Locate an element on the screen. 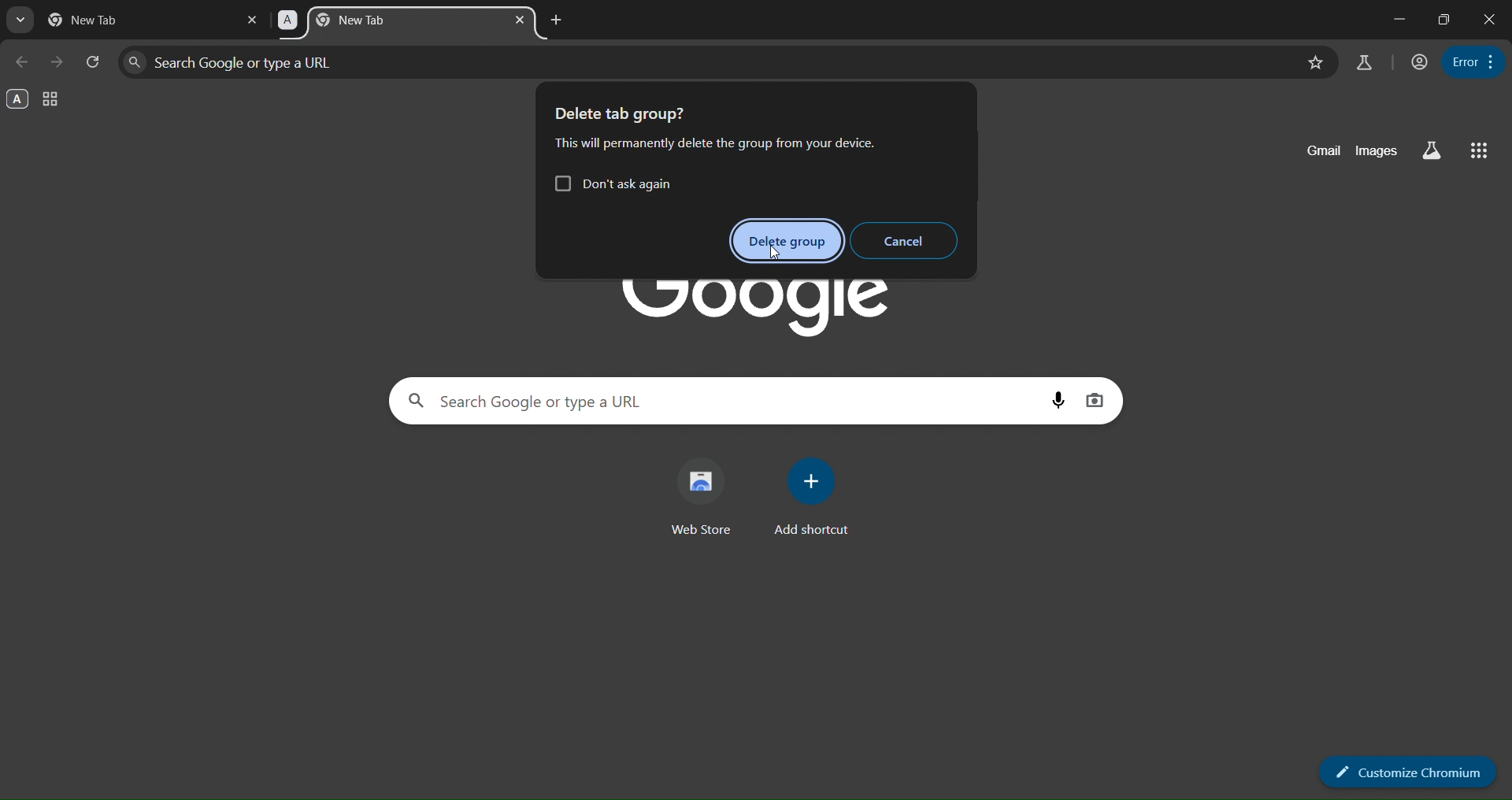  customize chromium is located at coordinates (1409, 772).